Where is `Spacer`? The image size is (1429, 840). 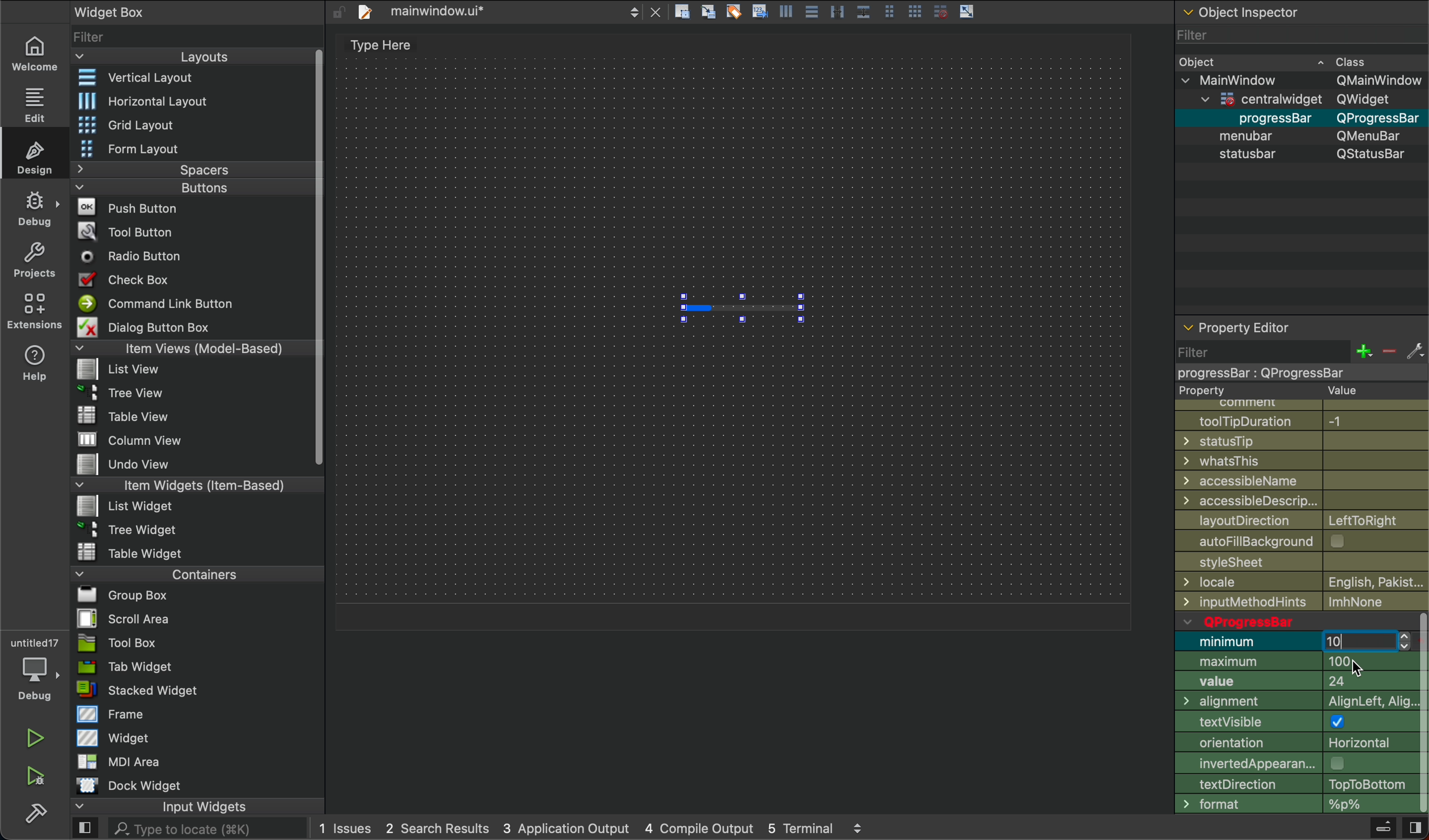
Spacer is located at coordinates (177, 169).